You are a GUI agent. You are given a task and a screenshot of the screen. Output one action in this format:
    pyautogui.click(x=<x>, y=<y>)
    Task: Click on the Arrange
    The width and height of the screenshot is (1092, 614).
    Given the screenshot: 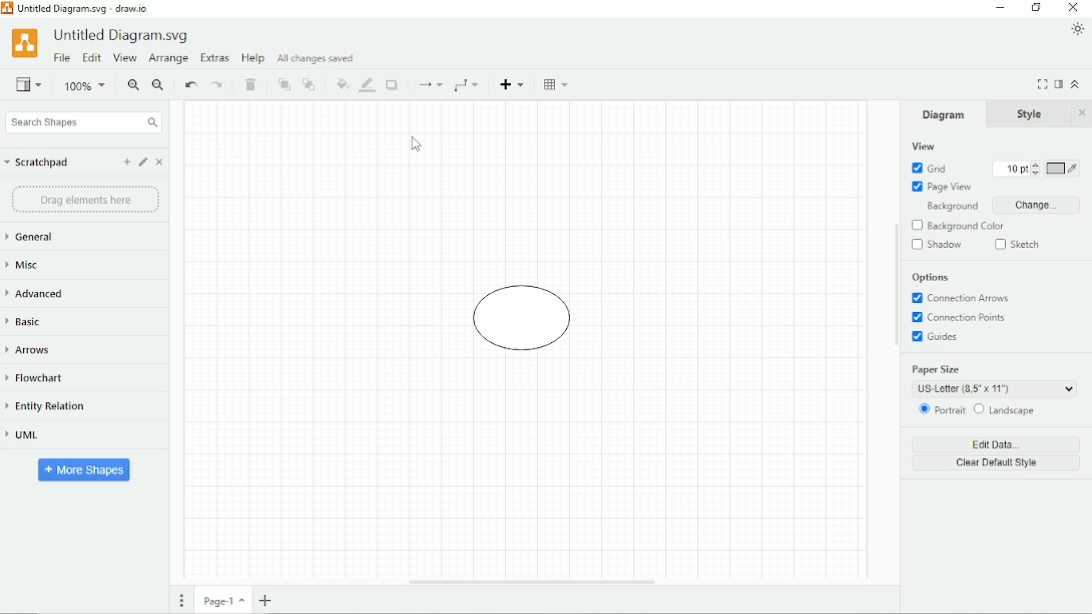 What is the action you would take?
    pyautogui.click(x=168, y=59)
    